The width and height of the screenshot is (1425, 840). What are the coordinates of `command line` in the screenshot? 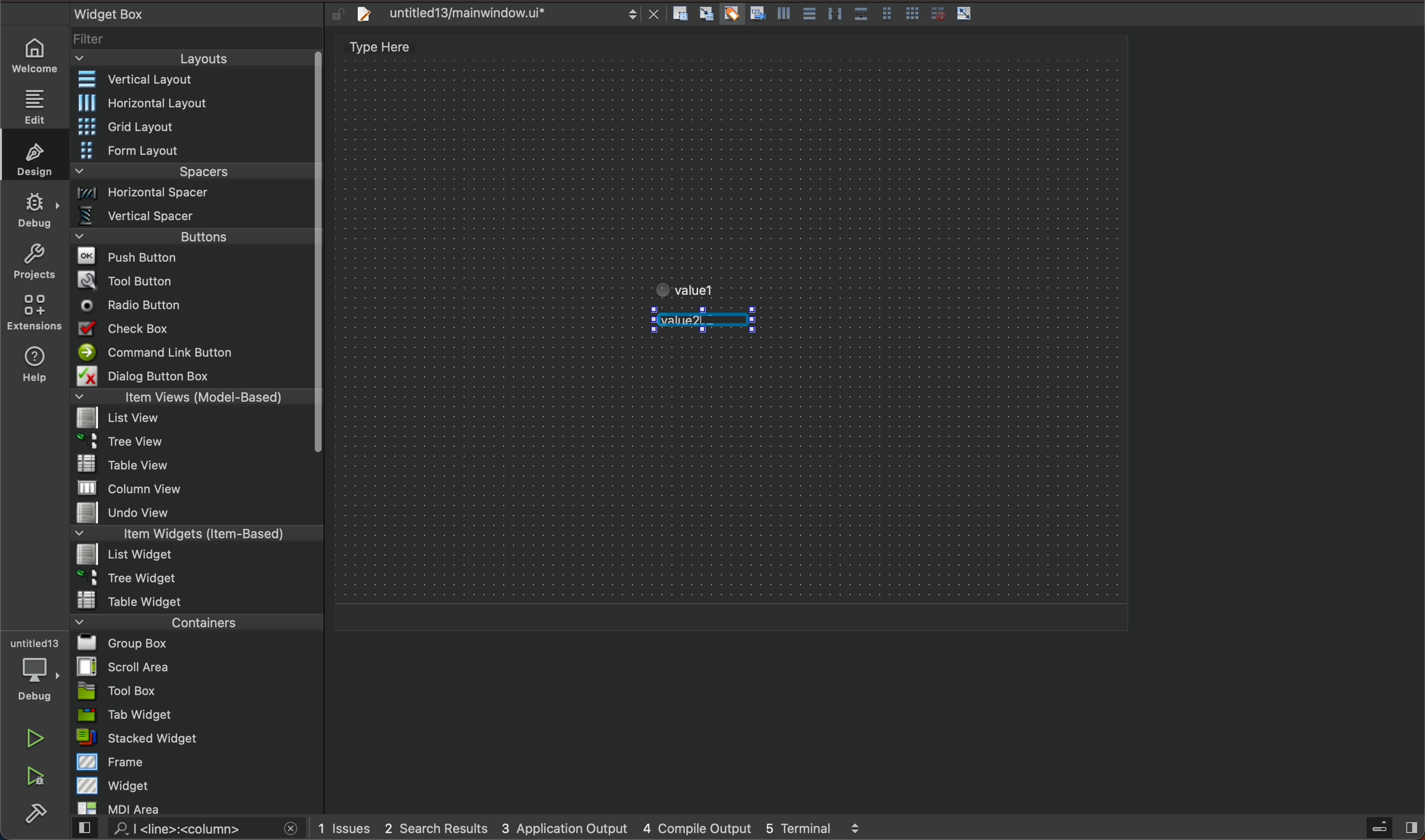 It's located at (192, 353).